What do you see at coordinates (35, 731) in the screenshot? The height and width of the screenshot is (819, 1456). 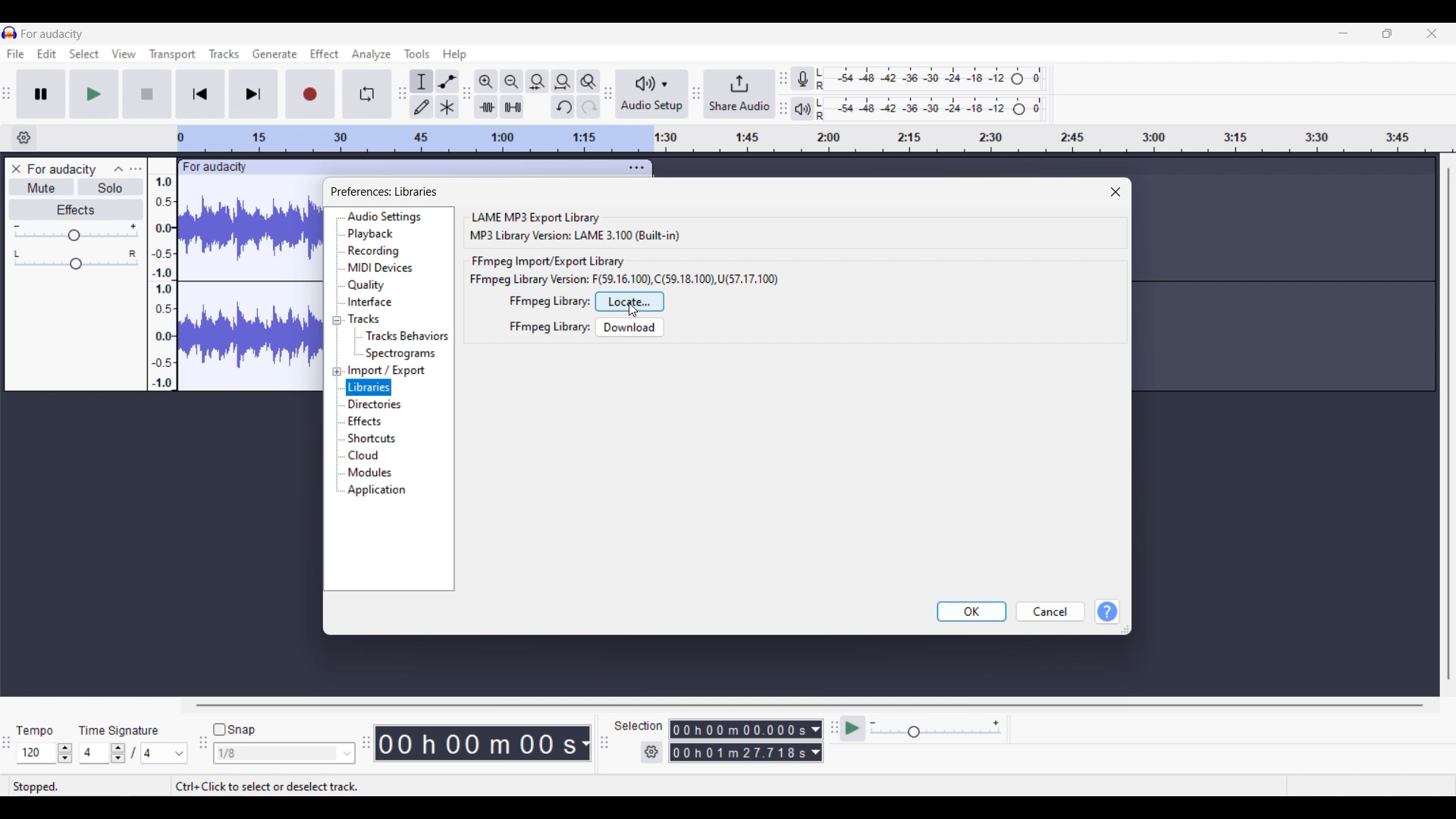 I see `tempo` at bounding box center [35, 731].